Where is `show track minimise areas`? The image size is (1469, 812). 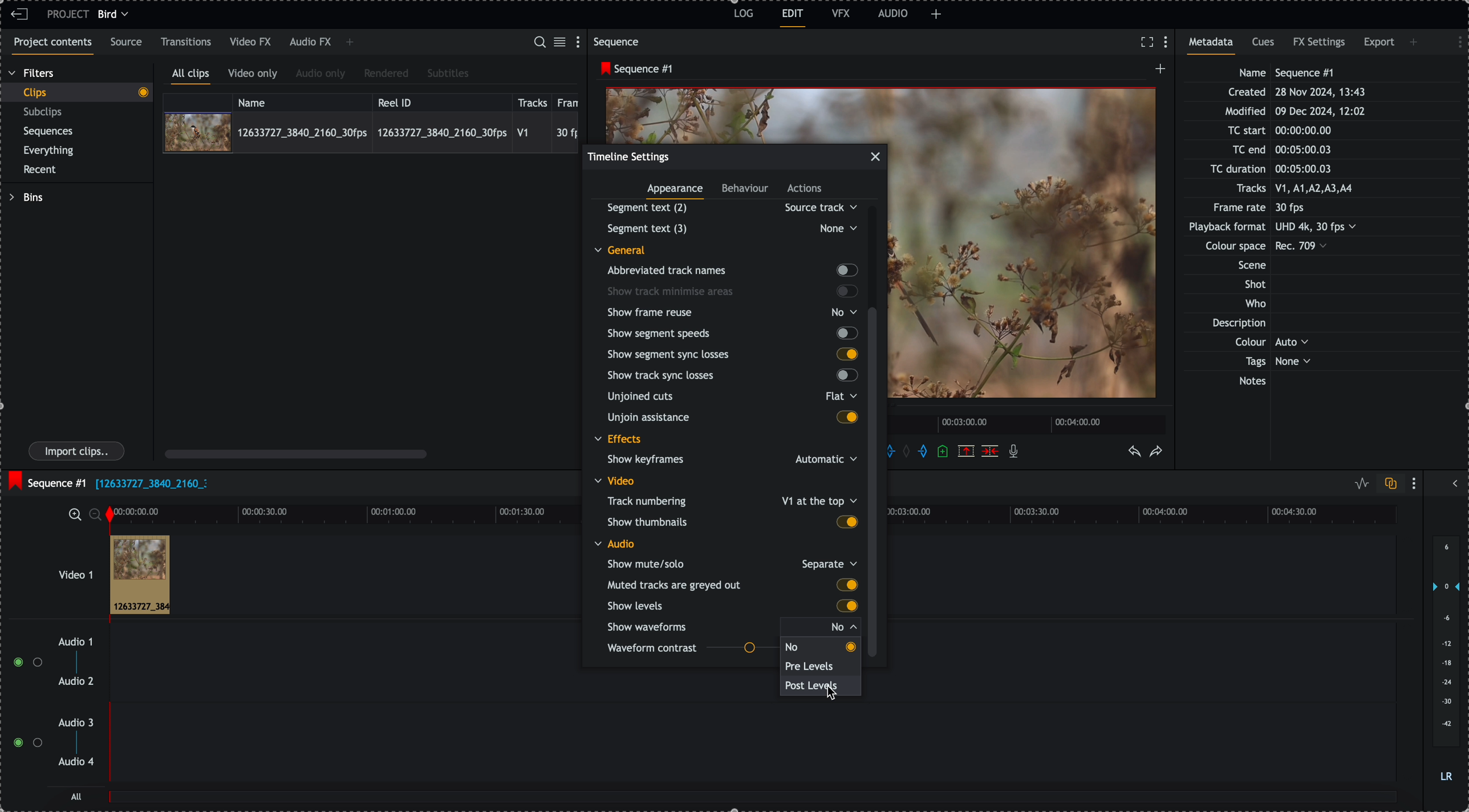
show track minimise areas is located at coordinates (733, 291).